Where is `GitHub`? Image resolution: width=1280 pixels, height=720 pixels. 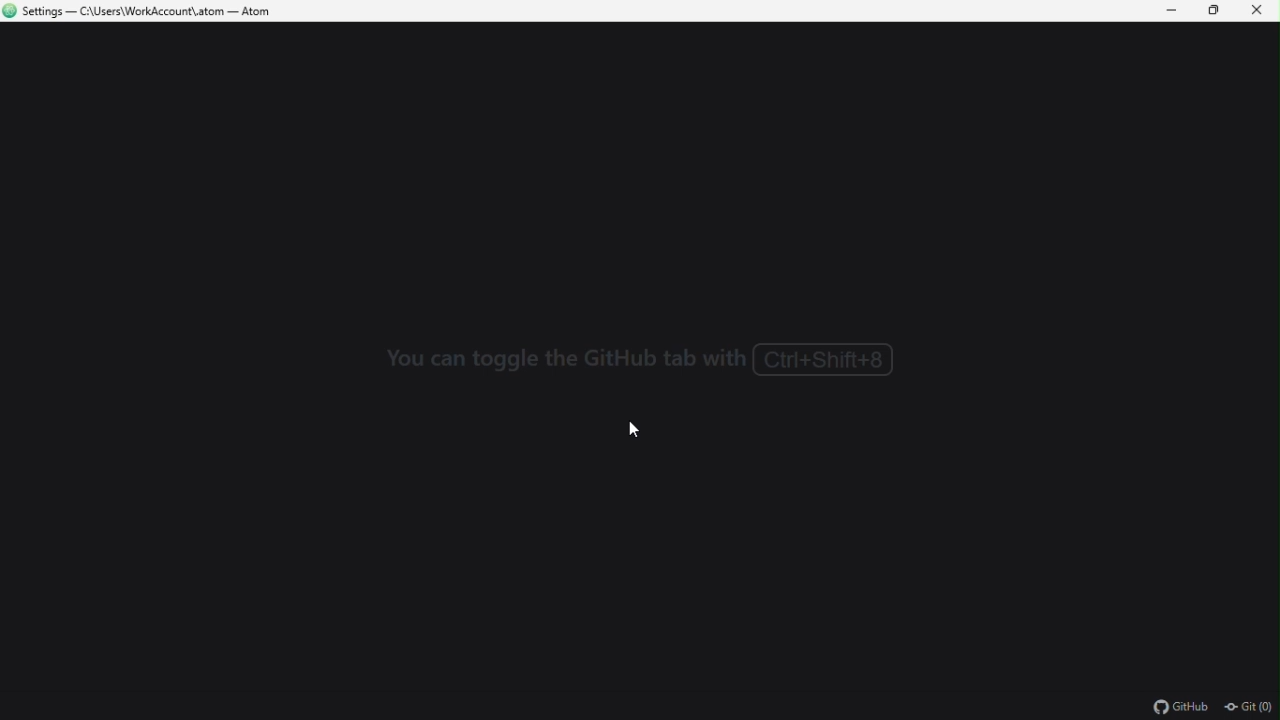 GitHub is located at coordinates (1172, 707).